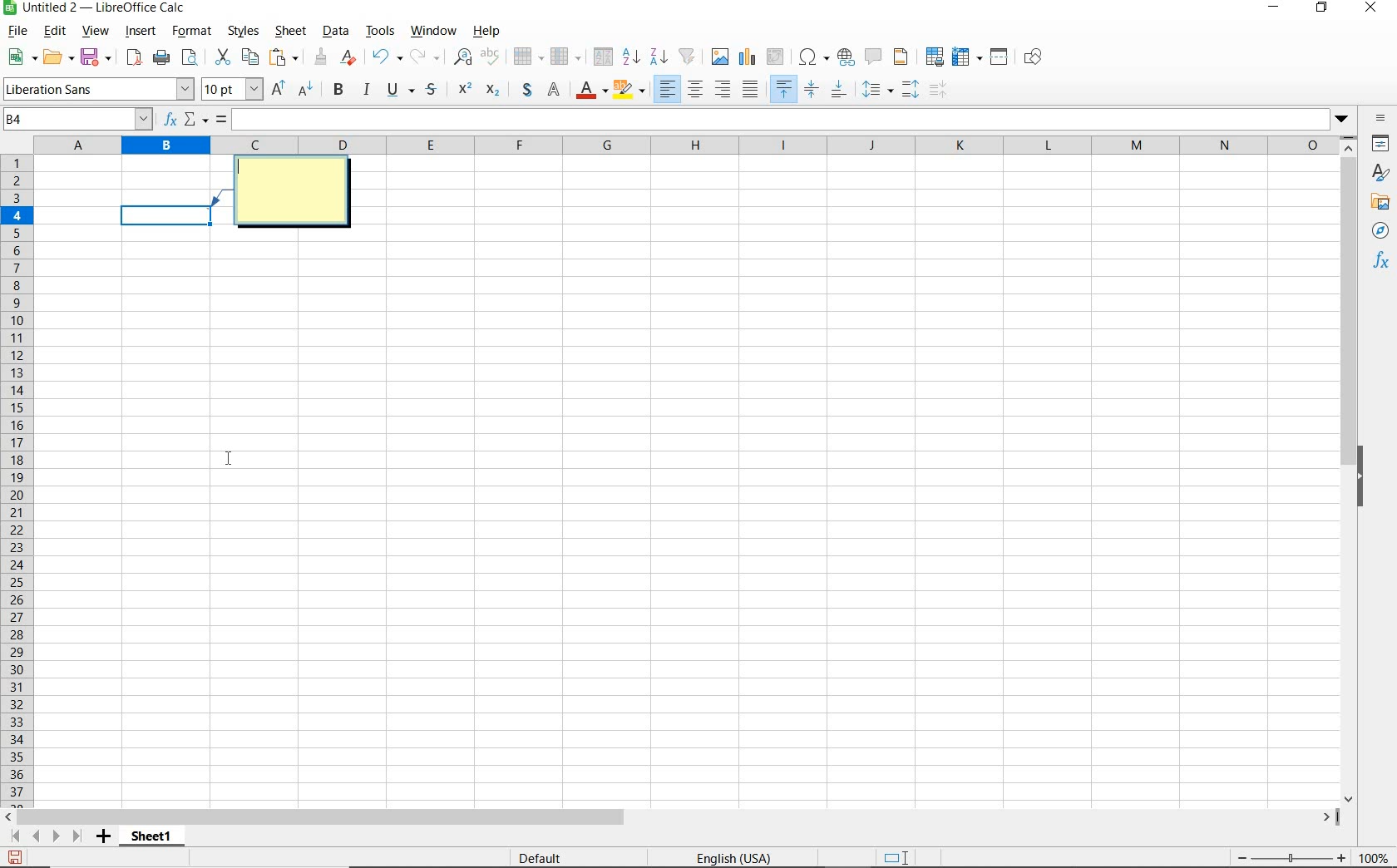 The height and width of the screenshot is (868, 1397). I want to click on paragraph spacing., so click(911, 90).